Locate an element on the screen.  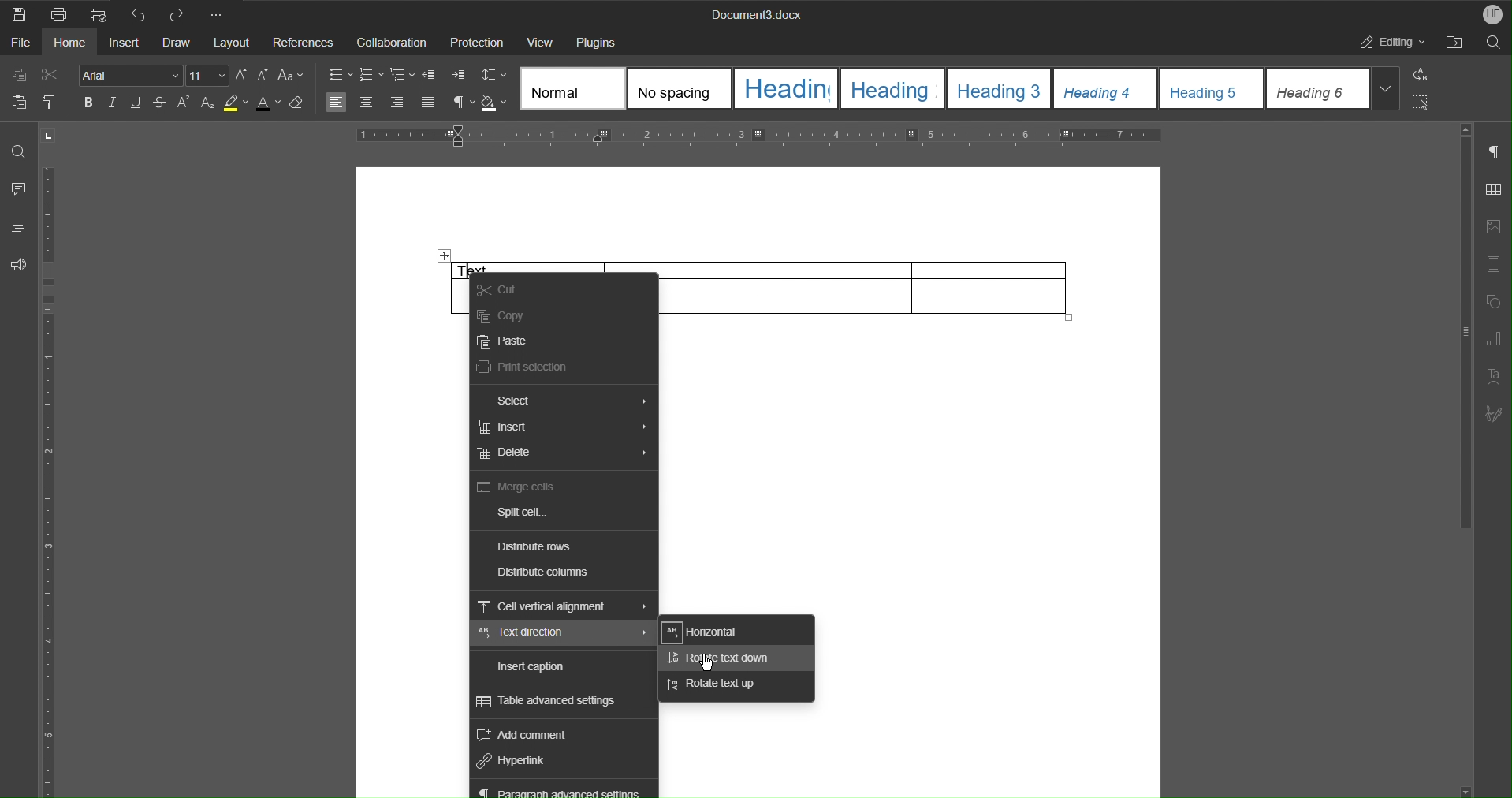
Heading 6 is located at coordinates (1319, 89).